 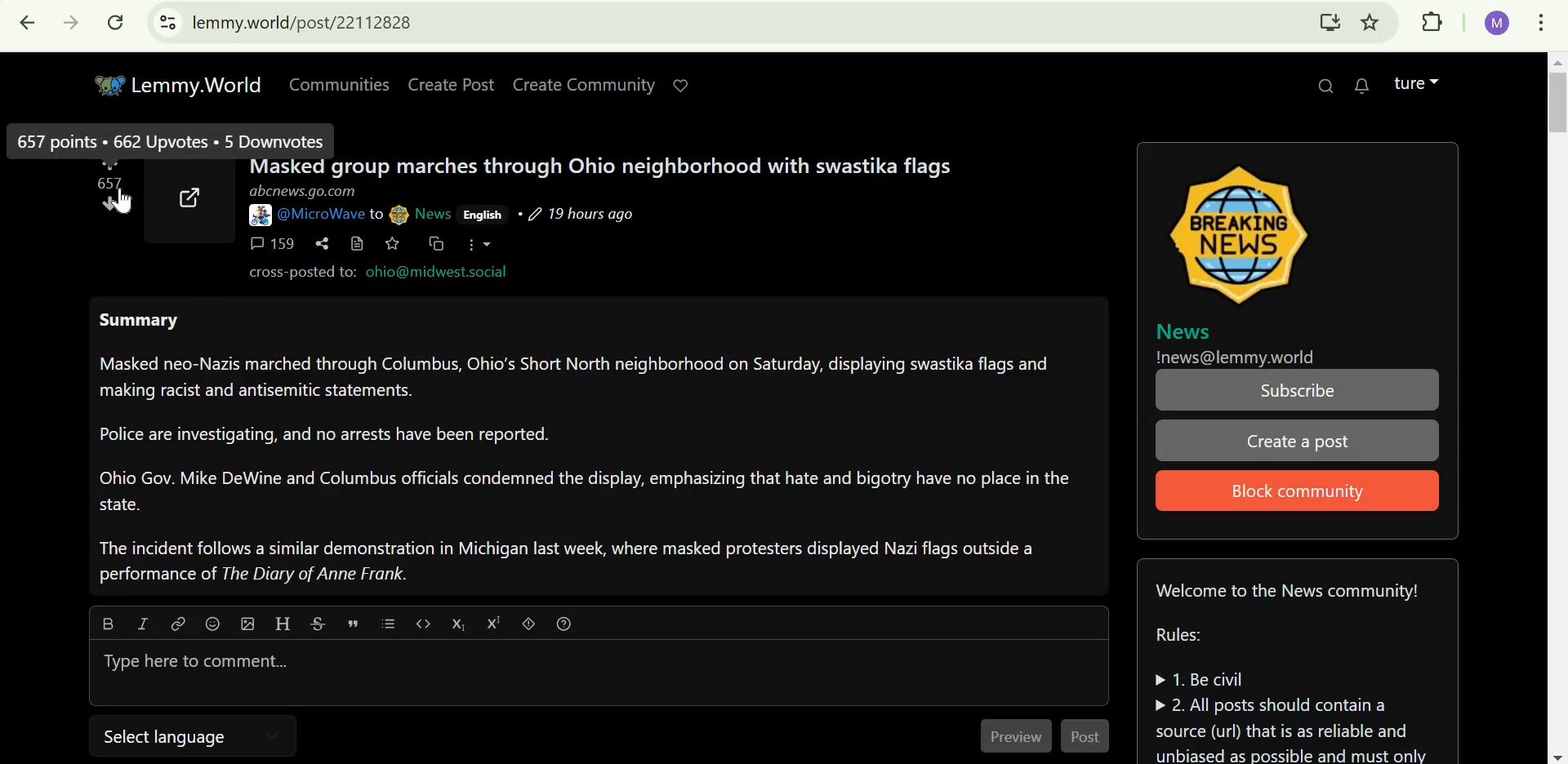 What do you see at coordinates (457, 622) in the screenshot?
I see `subscript` at bounding box center [457, 622].